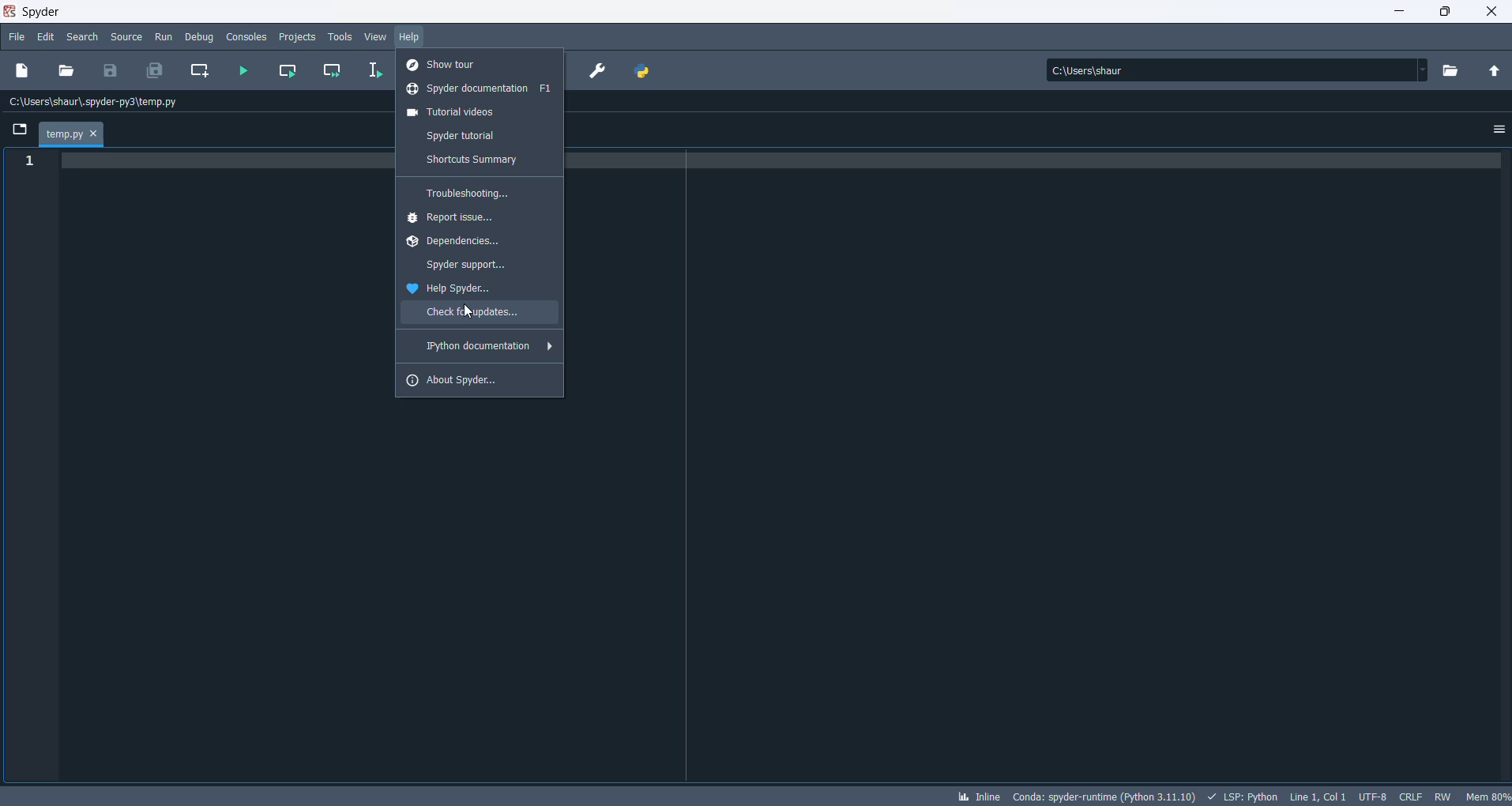 The image size is (1512, 806). What do you see at coordinates (1231, 70) in the screenshot?
I see `path` at bounding box center [1231, 70].